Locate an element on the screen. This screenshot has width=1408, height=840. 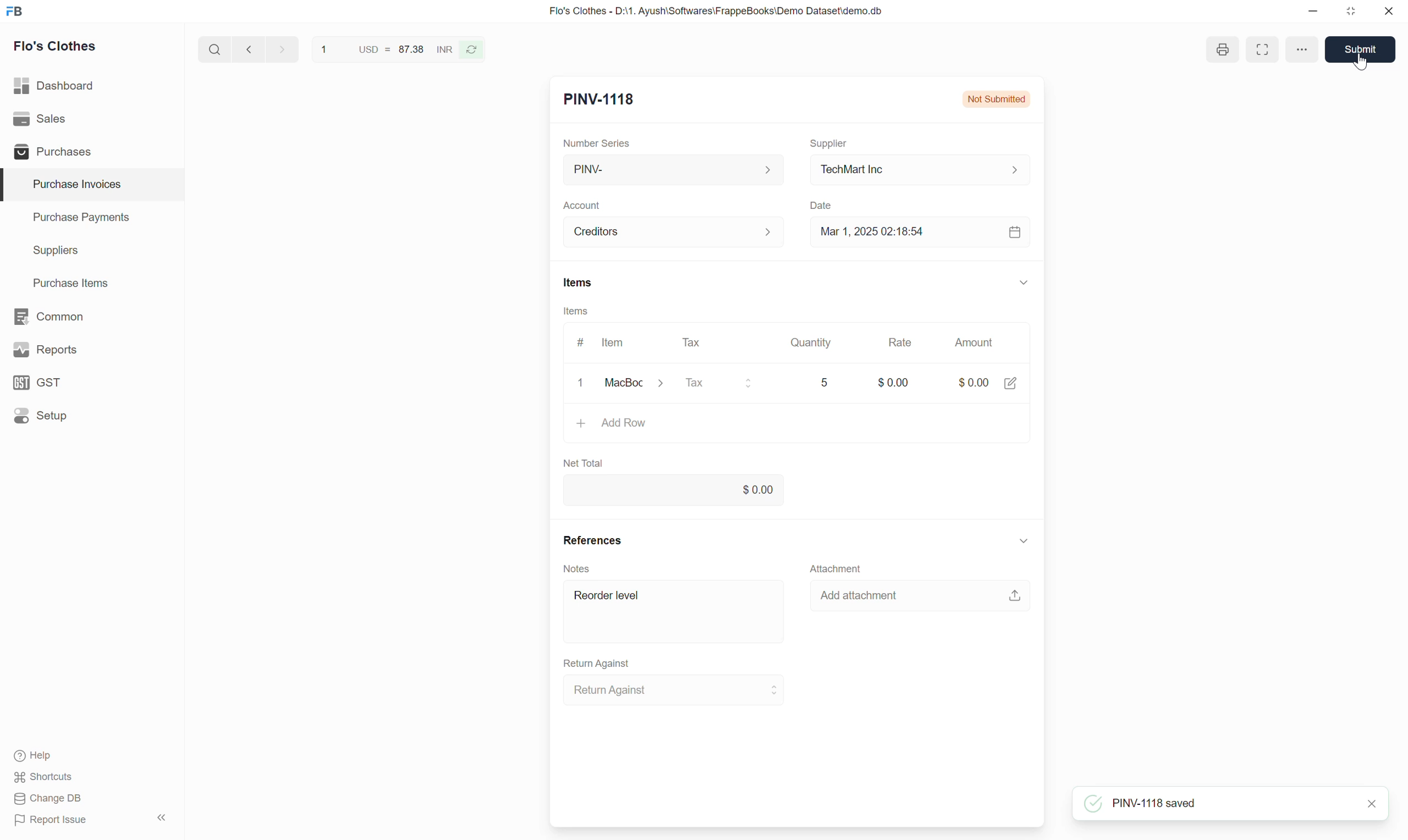
options is located at coordinates (1302, 50).